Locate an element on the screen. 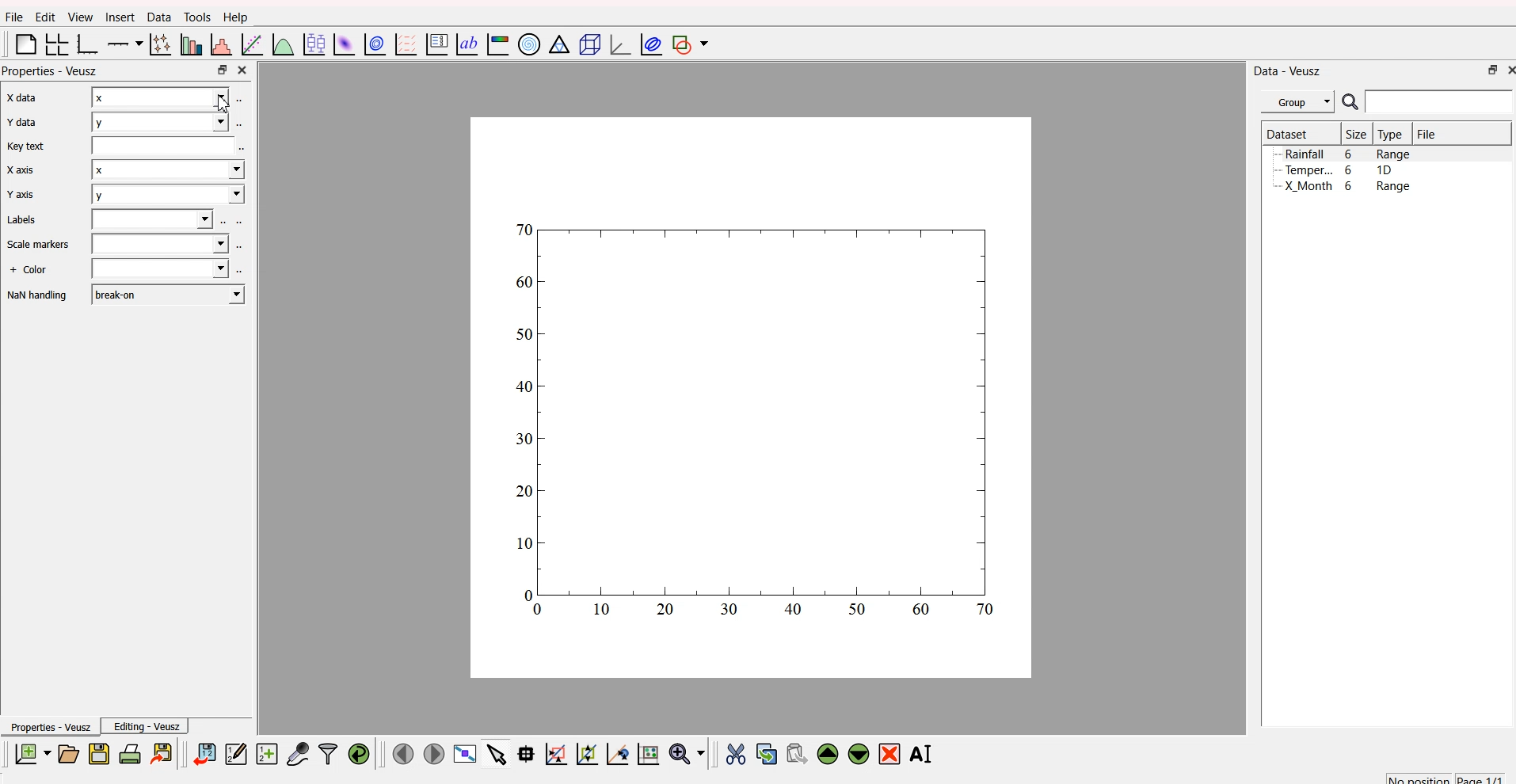  Tools is located at coordinates (196, 16).